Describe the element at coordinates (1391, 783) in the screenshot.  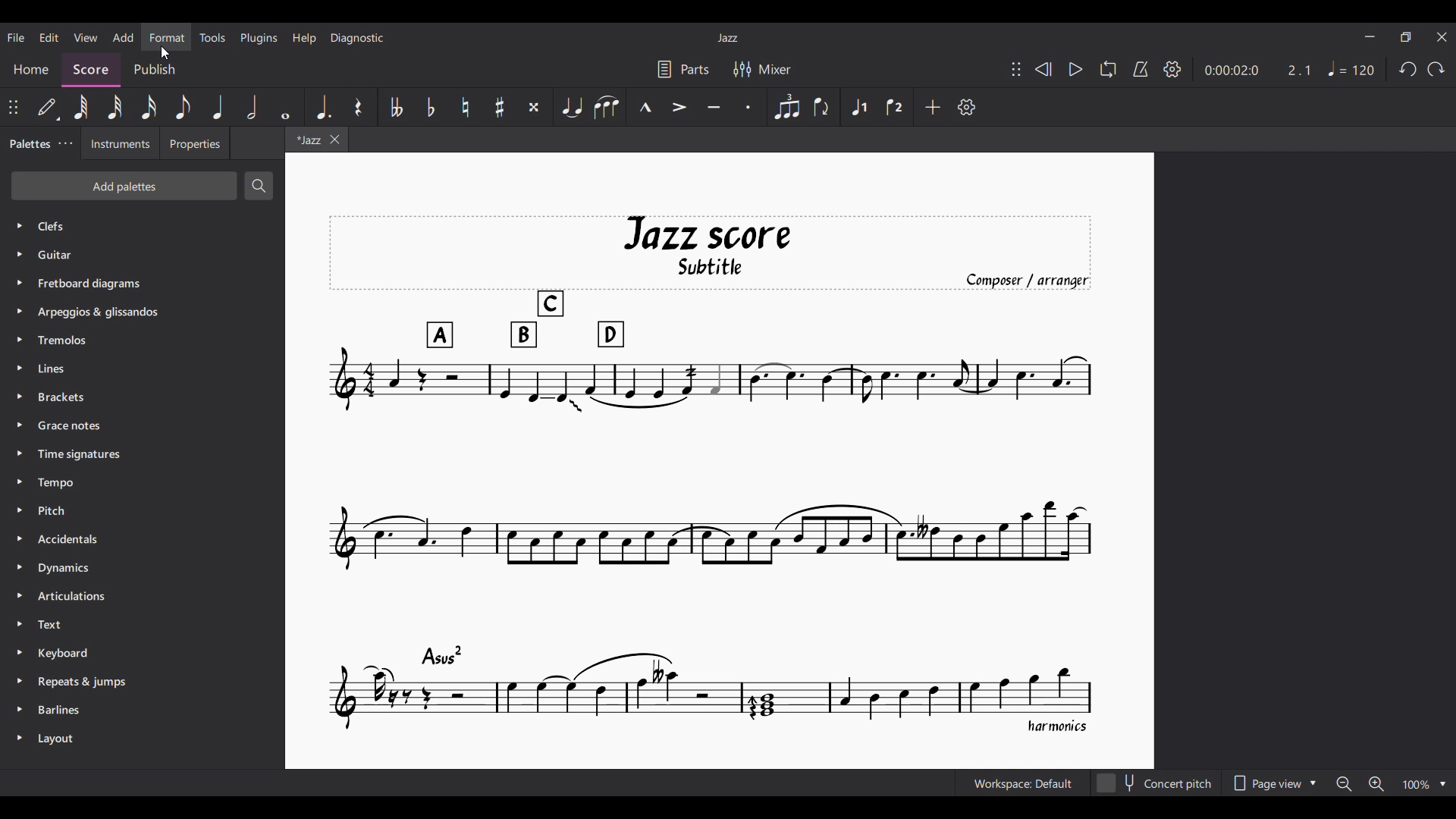
I see `Zoom options` at that location.